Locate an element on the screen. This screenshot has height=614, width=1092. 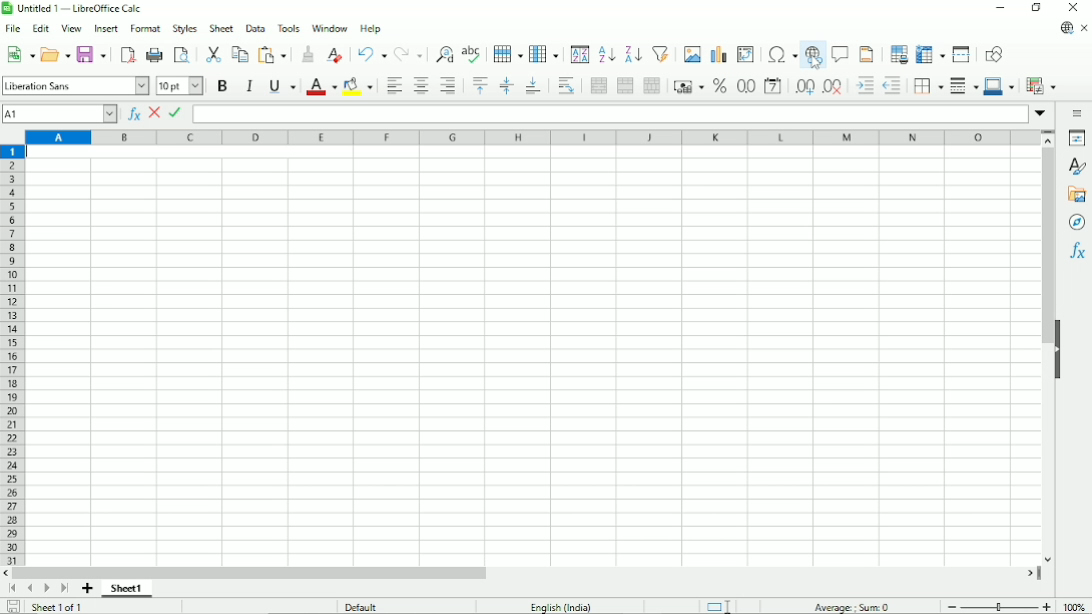
Functions is located at coordinates (1077, 251).